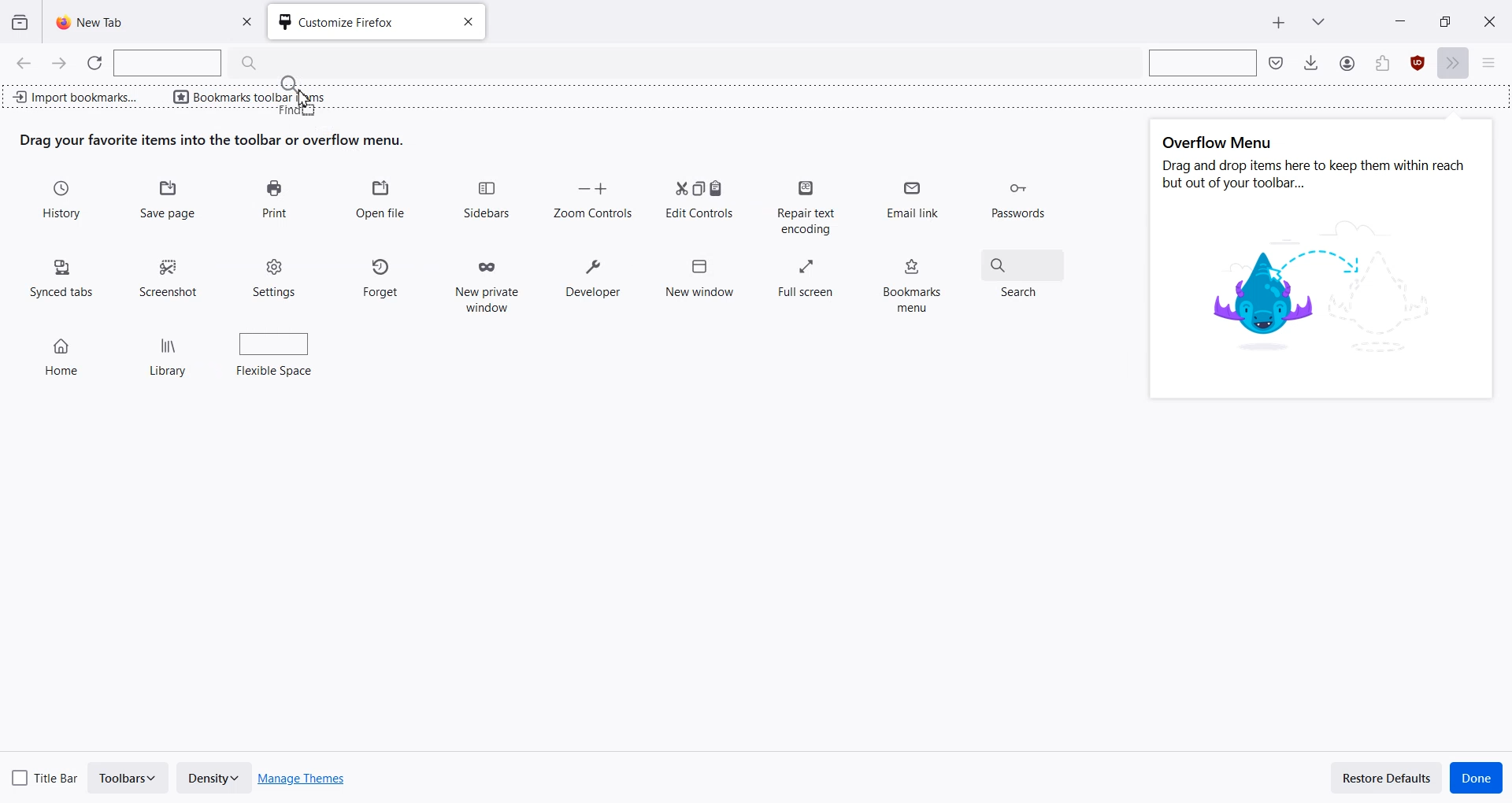  I want to click on Density, so click(213, 778).